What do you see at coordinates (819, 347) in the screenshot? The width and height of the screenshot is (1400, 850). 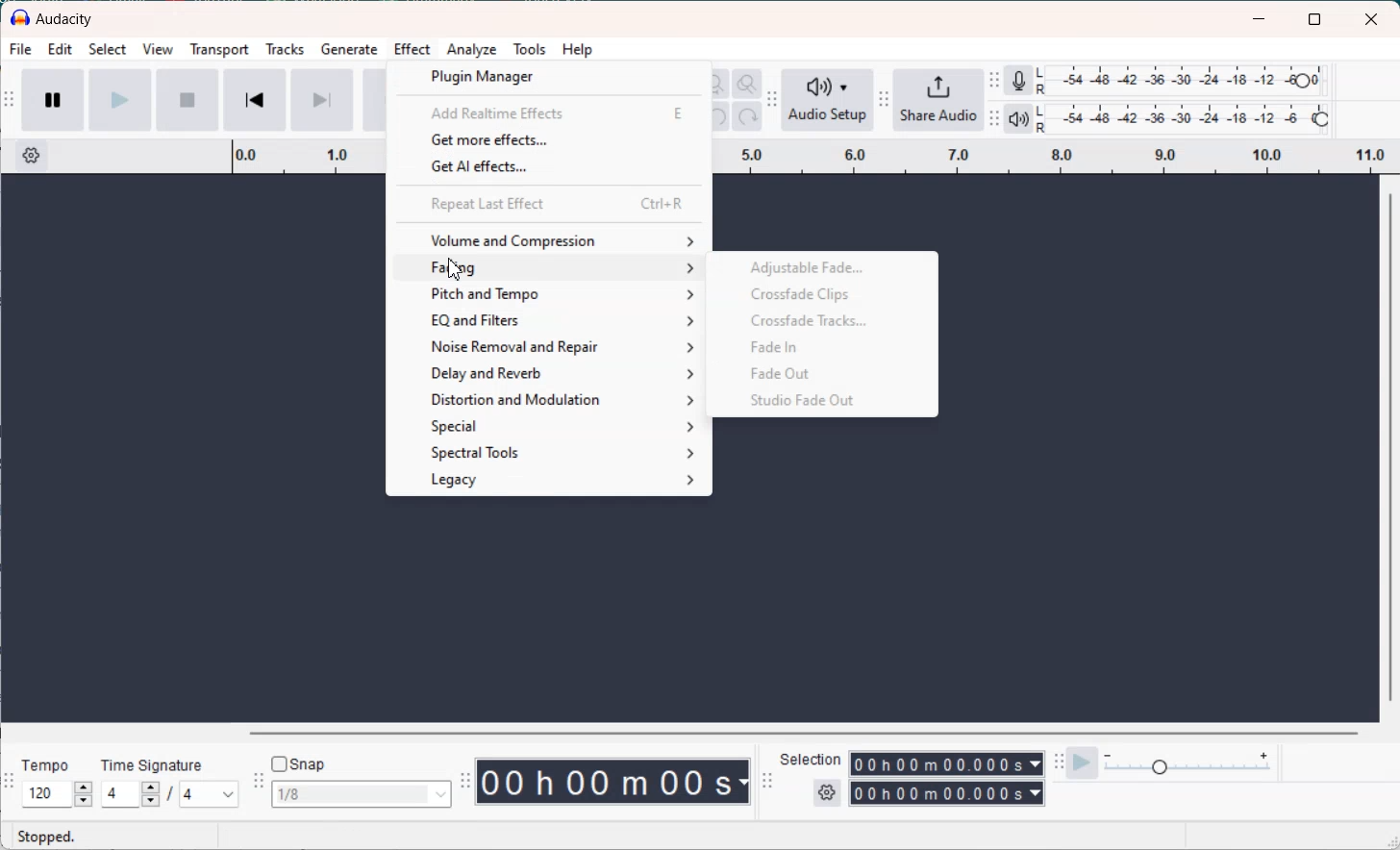 I see `Fade In` at bounding box center [819, 347].